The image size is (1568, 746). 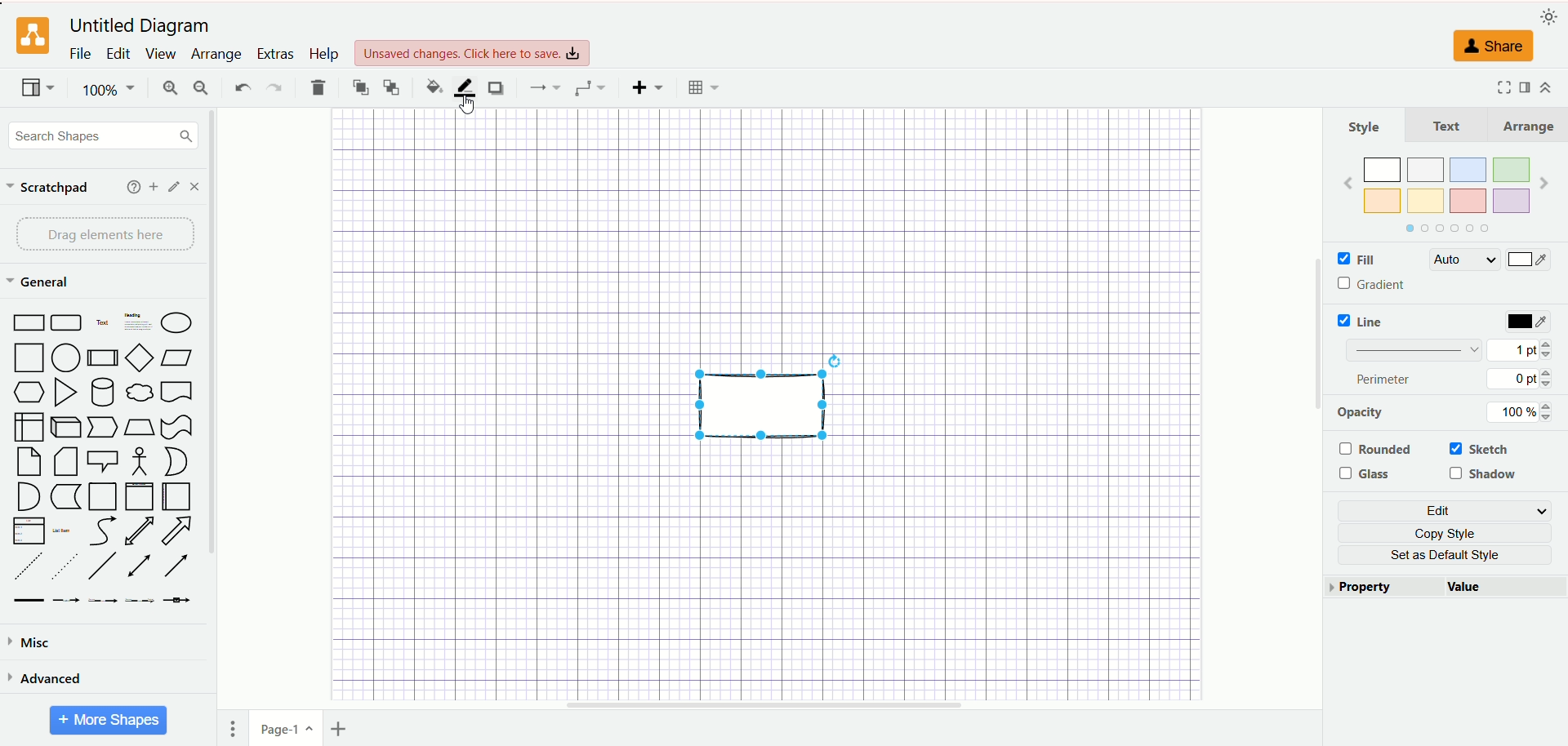 What do you see at coordinates (241, 87) in the screenshot?
I see `undo` at bounding box center [241, 87].